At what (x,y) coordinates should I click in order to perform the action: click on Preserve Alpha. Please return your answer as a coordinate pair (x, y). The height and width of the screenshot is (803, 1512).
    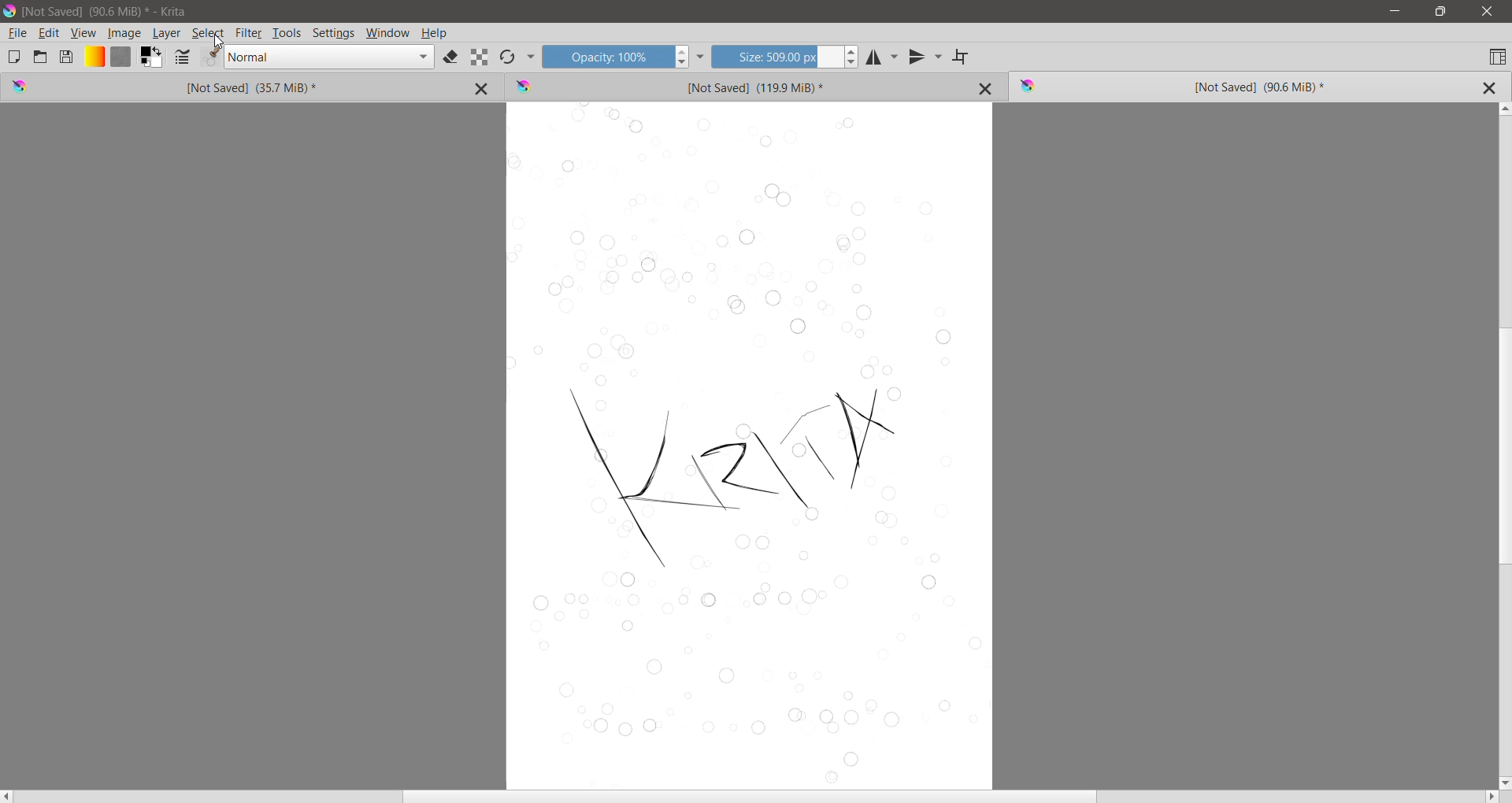
    Looking at the image, I should click on (480, 57).